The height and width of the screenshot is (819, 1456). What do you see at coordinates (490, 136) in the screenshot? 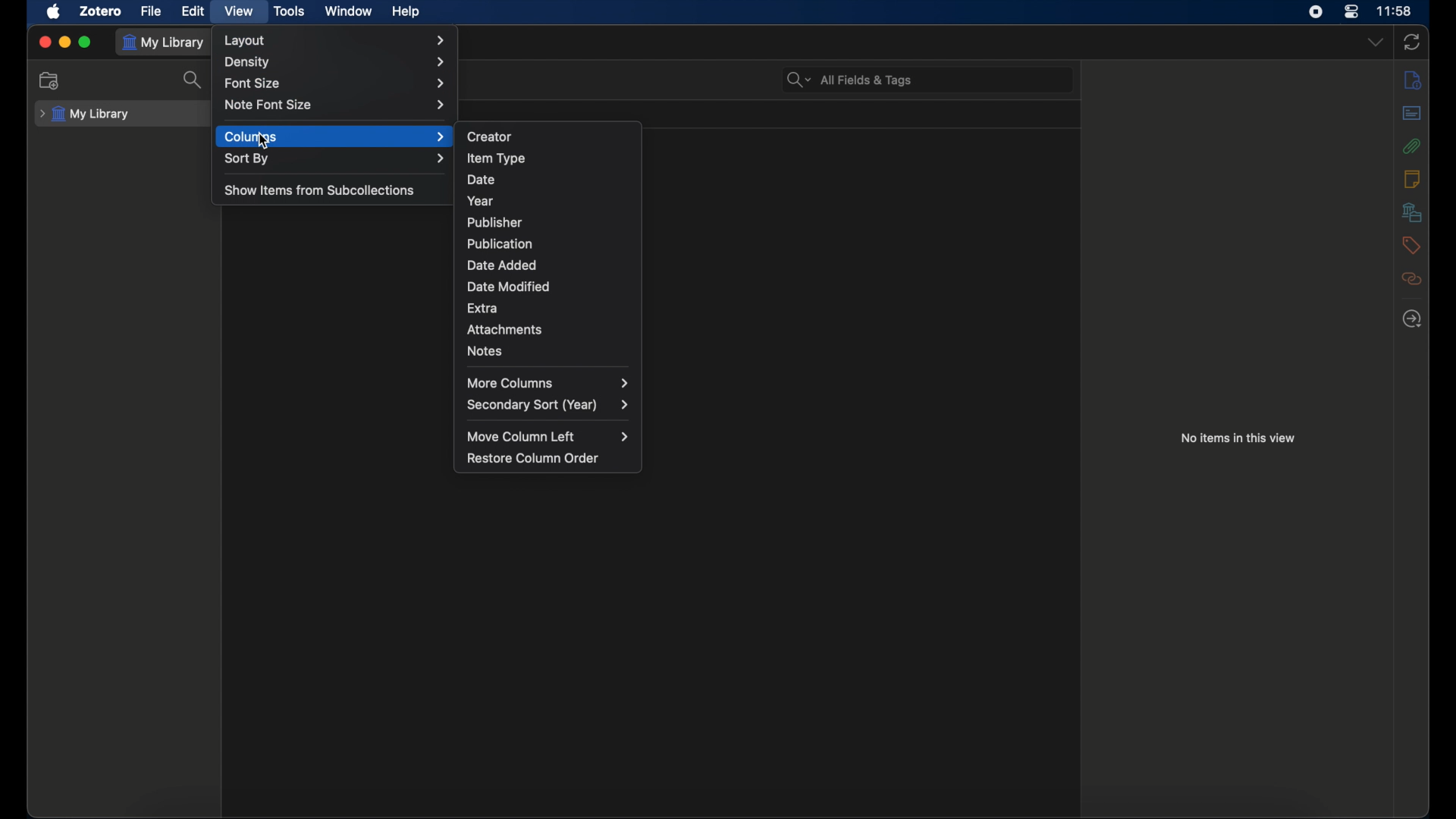
I see `creator` at bounding box center [490, 136].